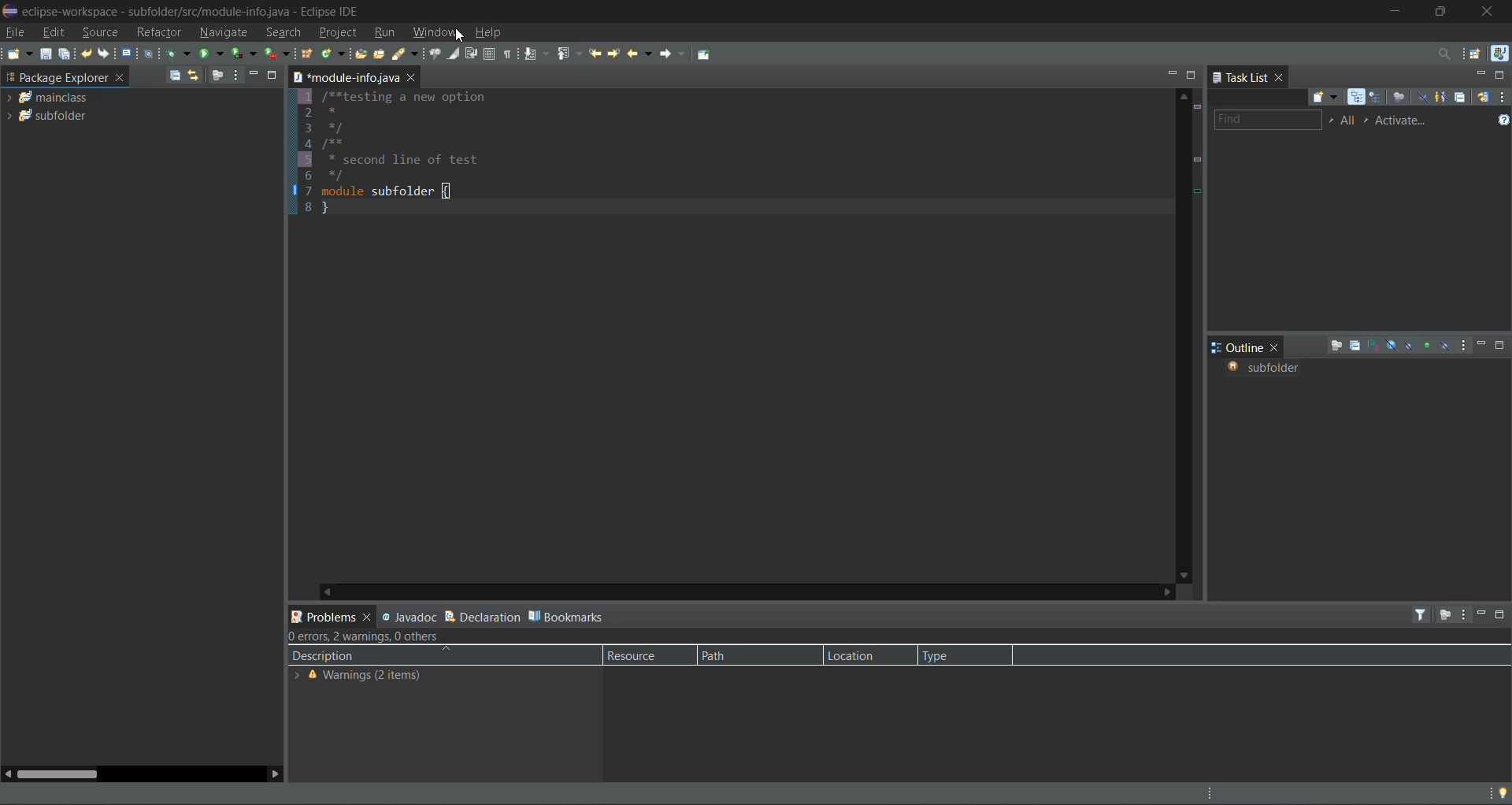  Describe the element at coordinates (341, 32) in the screenshot. I see `project` at that location.